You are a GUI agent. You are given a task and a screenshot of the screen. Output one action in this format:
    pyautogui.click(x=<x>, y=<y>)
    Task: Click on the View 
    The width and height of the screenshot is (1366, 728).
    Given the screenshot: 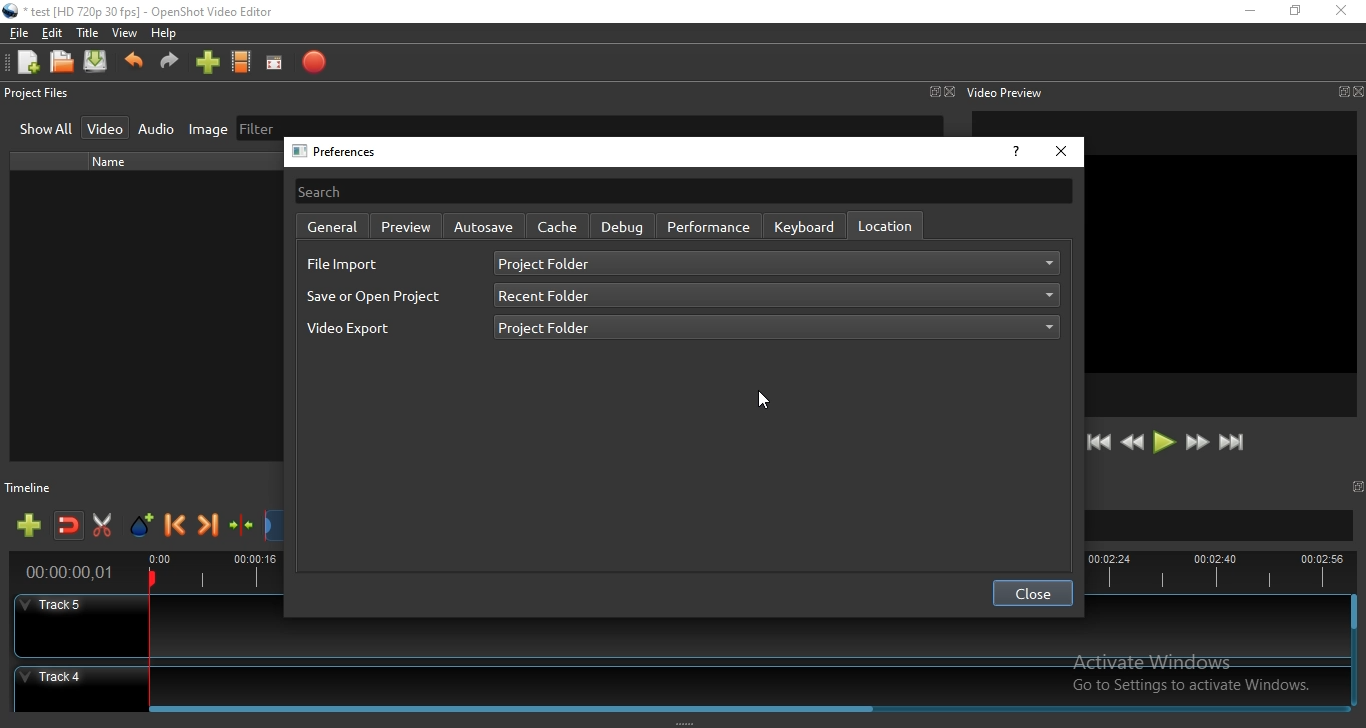 What is the action you would take?
    pyautogui.click(x=125, y=34)
    